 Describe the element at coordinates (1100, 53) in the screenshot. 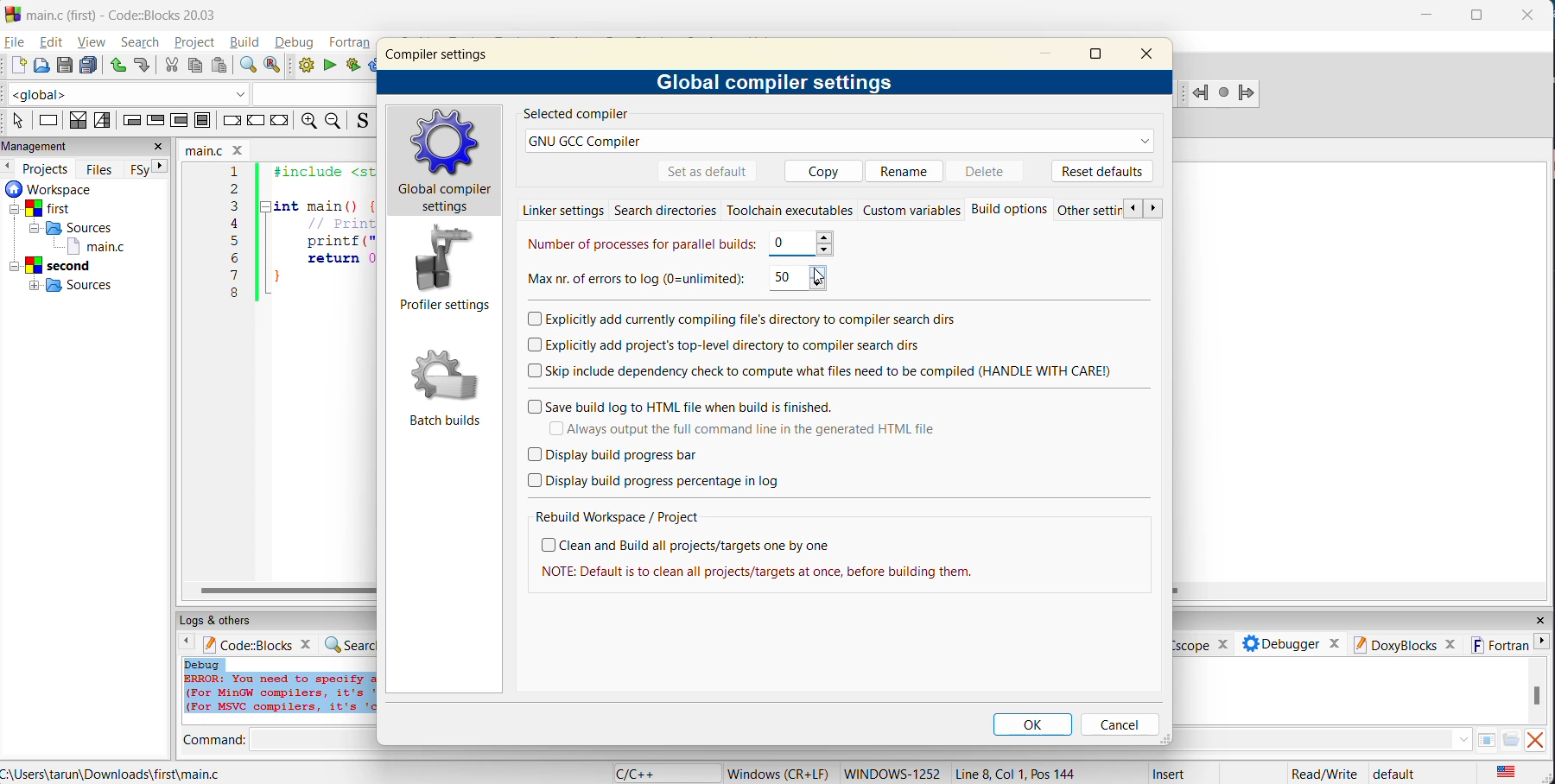

I see `maximize` at that location.